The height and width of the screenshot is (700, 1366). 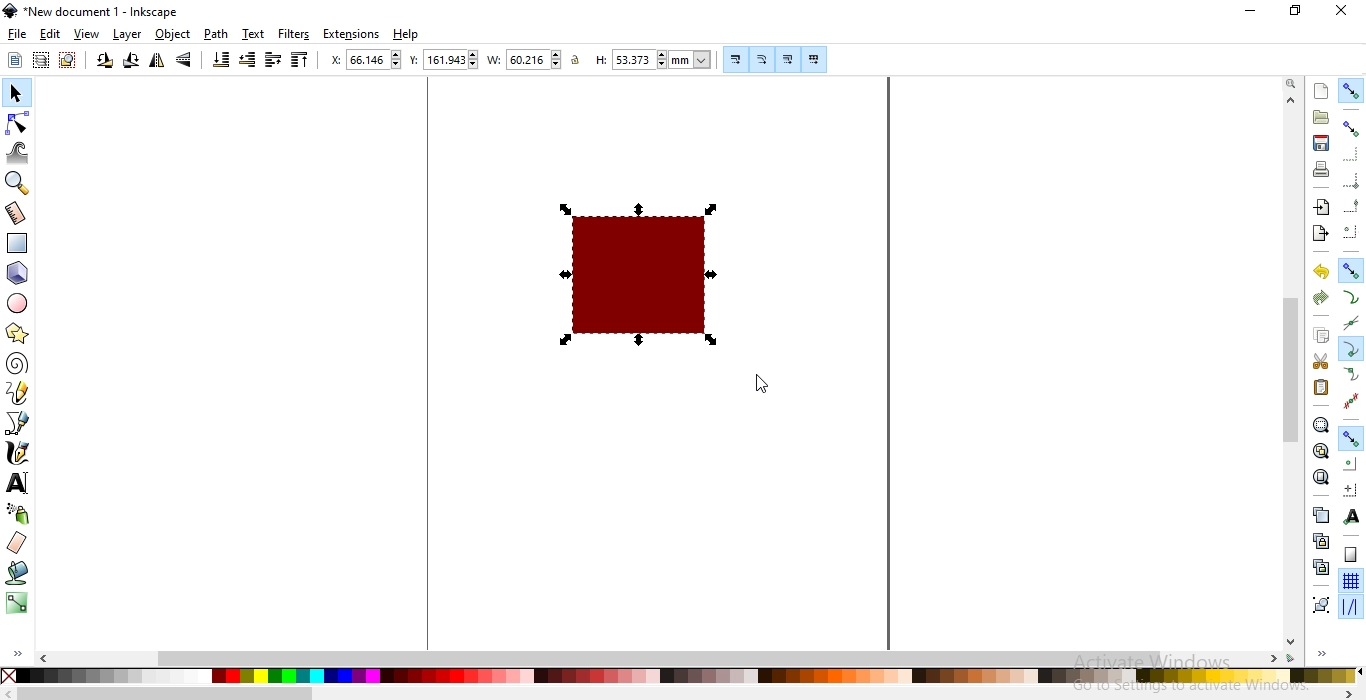 What do you see at coordinates (1319, 451) in the screenshot?
I see `zoom to fit drawing` at bounding box center [1319, 451].